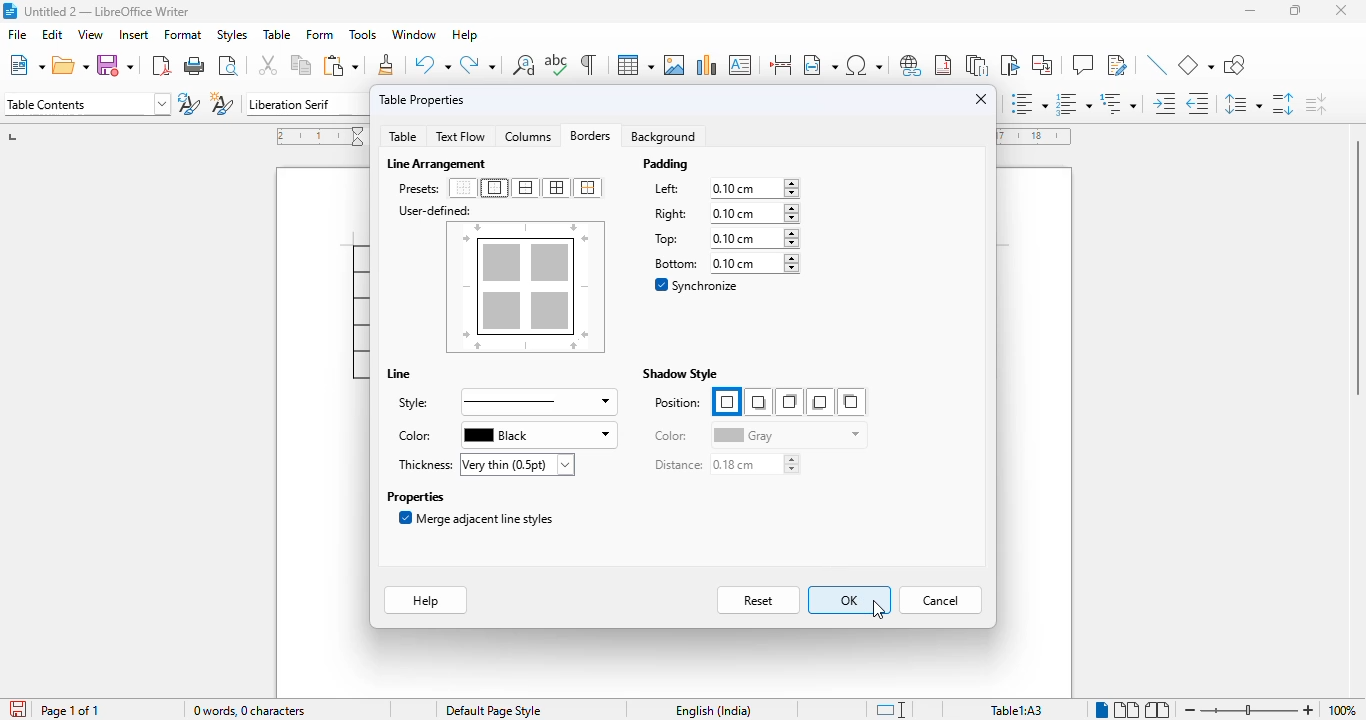  I want to click on insert text box, so click(740, 65).